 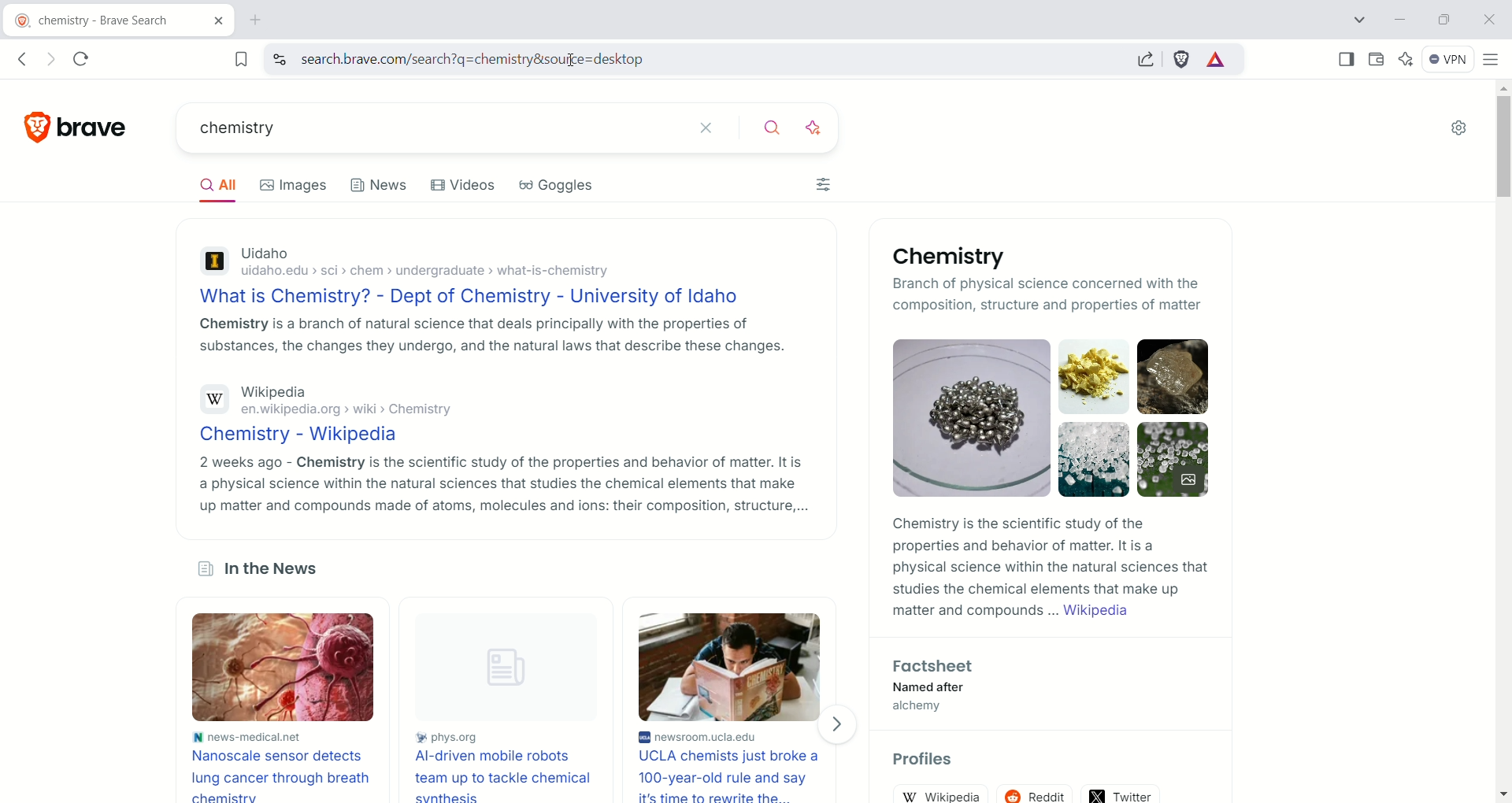 What do you see at coordinates (278, 668) in the screenshot?
I see `Image relating to lung cancer` at bounding box center [278, 668].